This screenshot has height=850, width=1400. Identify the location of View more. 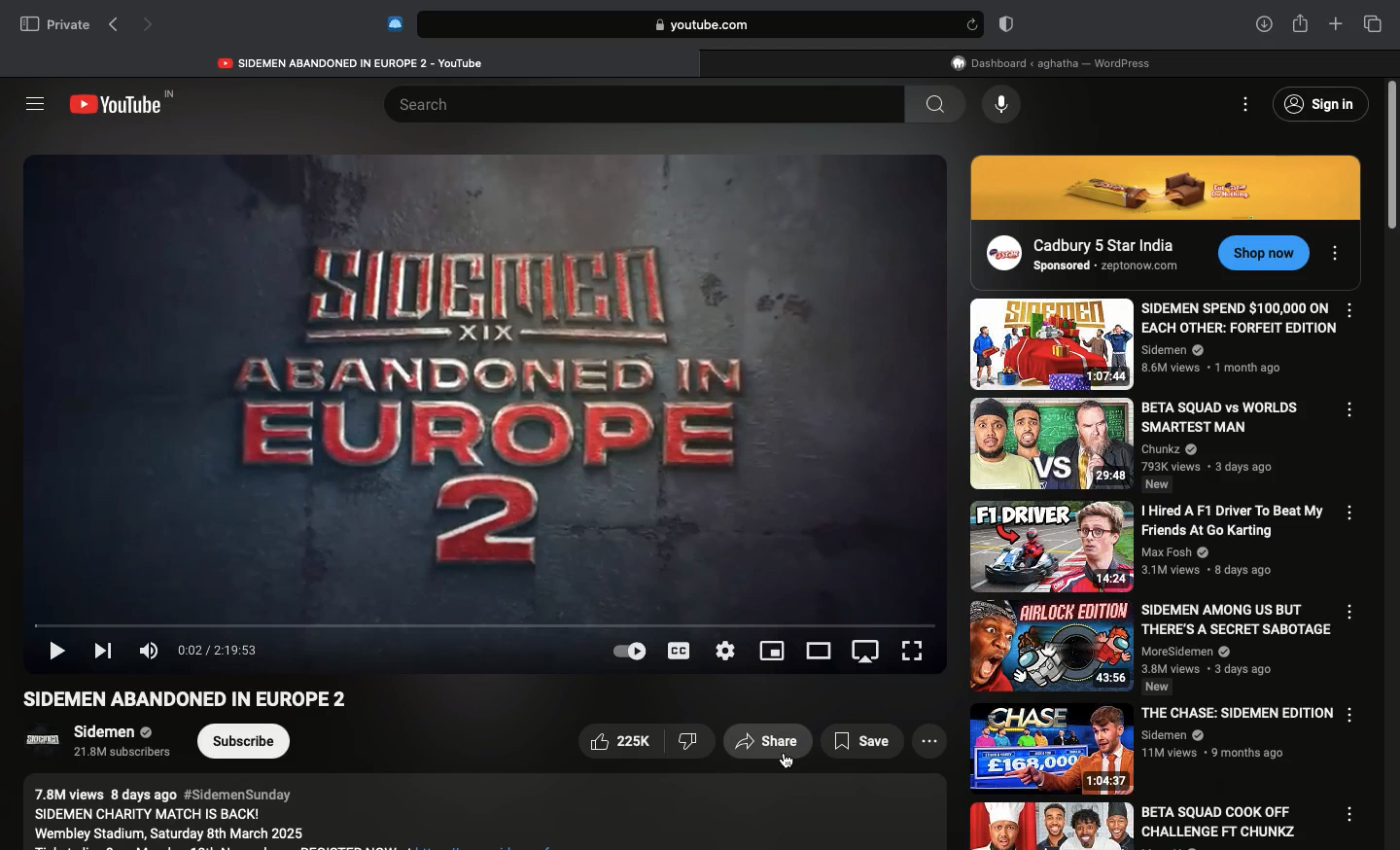
(927, 742).